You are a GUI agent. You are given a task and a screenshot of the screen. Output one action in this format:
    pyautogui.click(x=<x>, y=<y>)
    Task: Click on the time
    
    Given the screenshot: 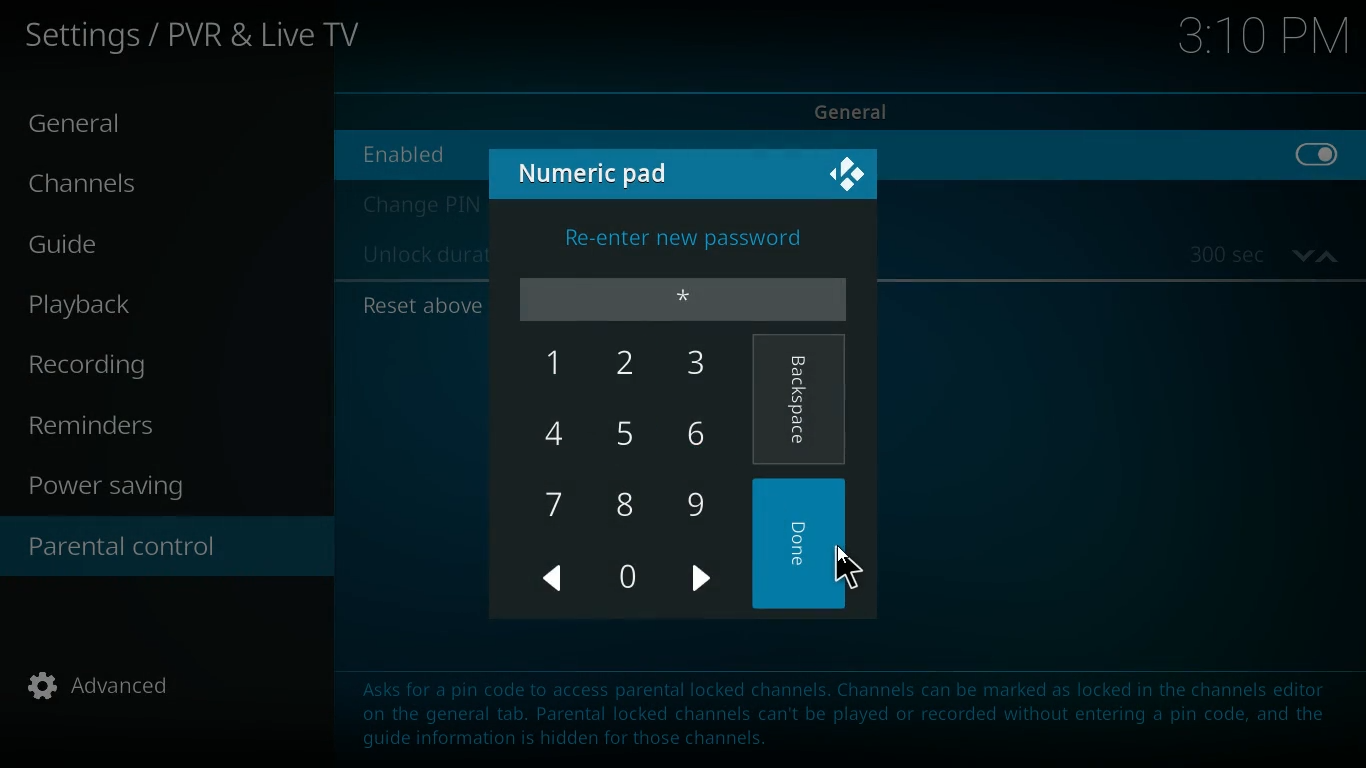 What is the action you would take?
    pyautogui.click(x=1263, y=40)
    